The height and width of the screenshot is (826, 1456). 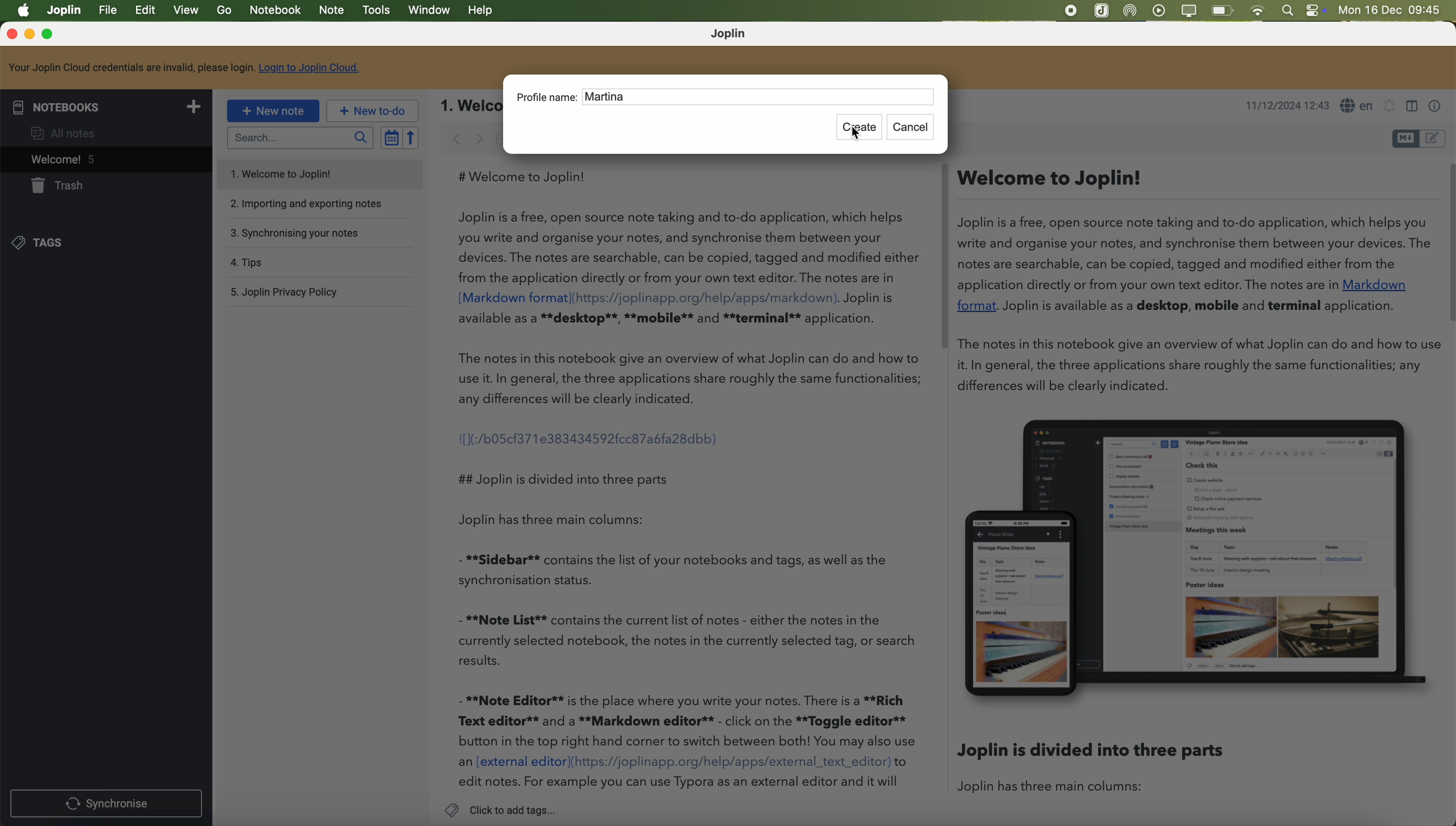 I want to click on 4. Tips, so click(x=286, y=263).